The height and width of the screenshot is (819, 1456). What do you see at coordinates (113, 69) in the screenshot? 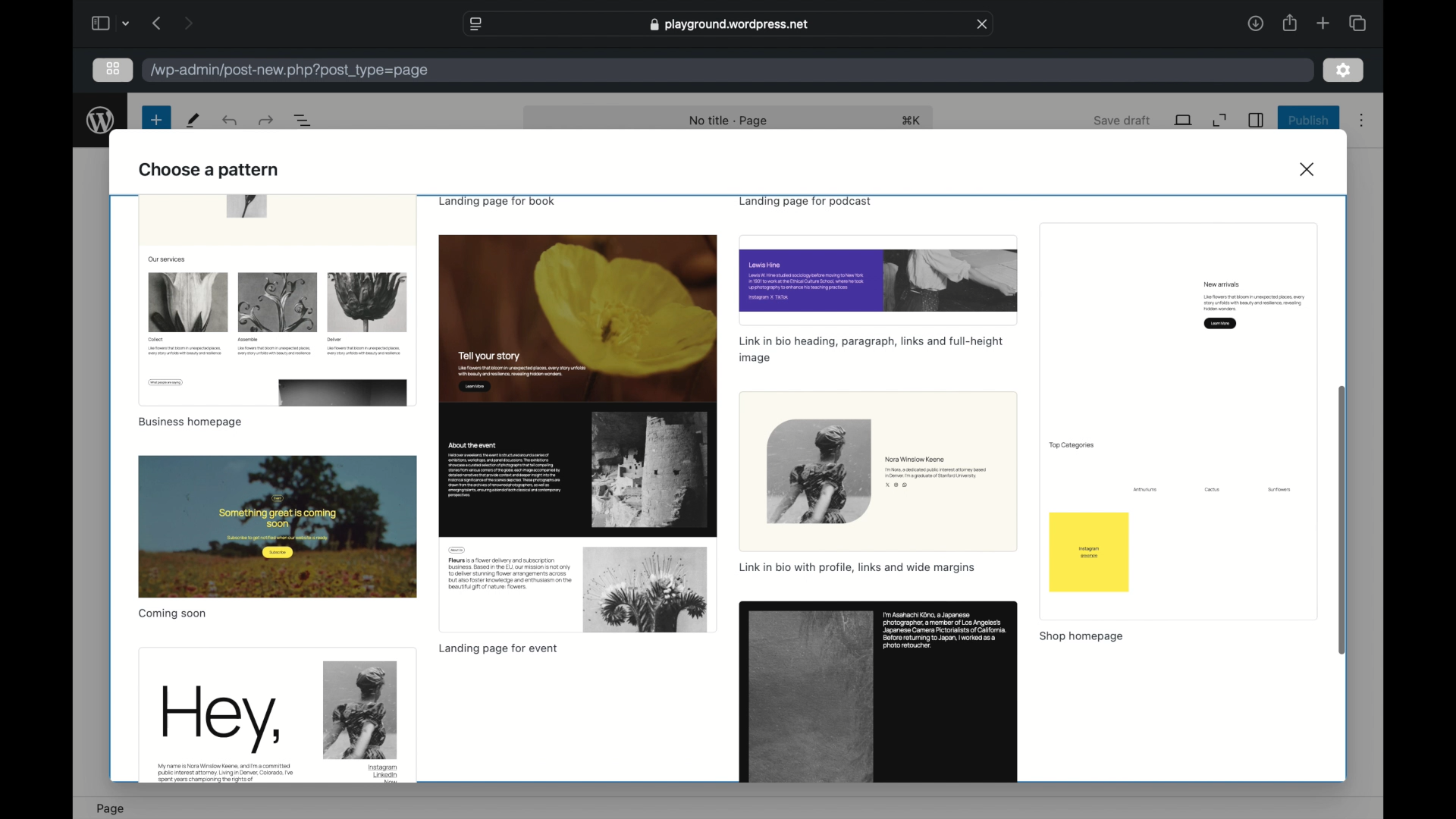
I see `grid view` at bounding box center [113, 69].